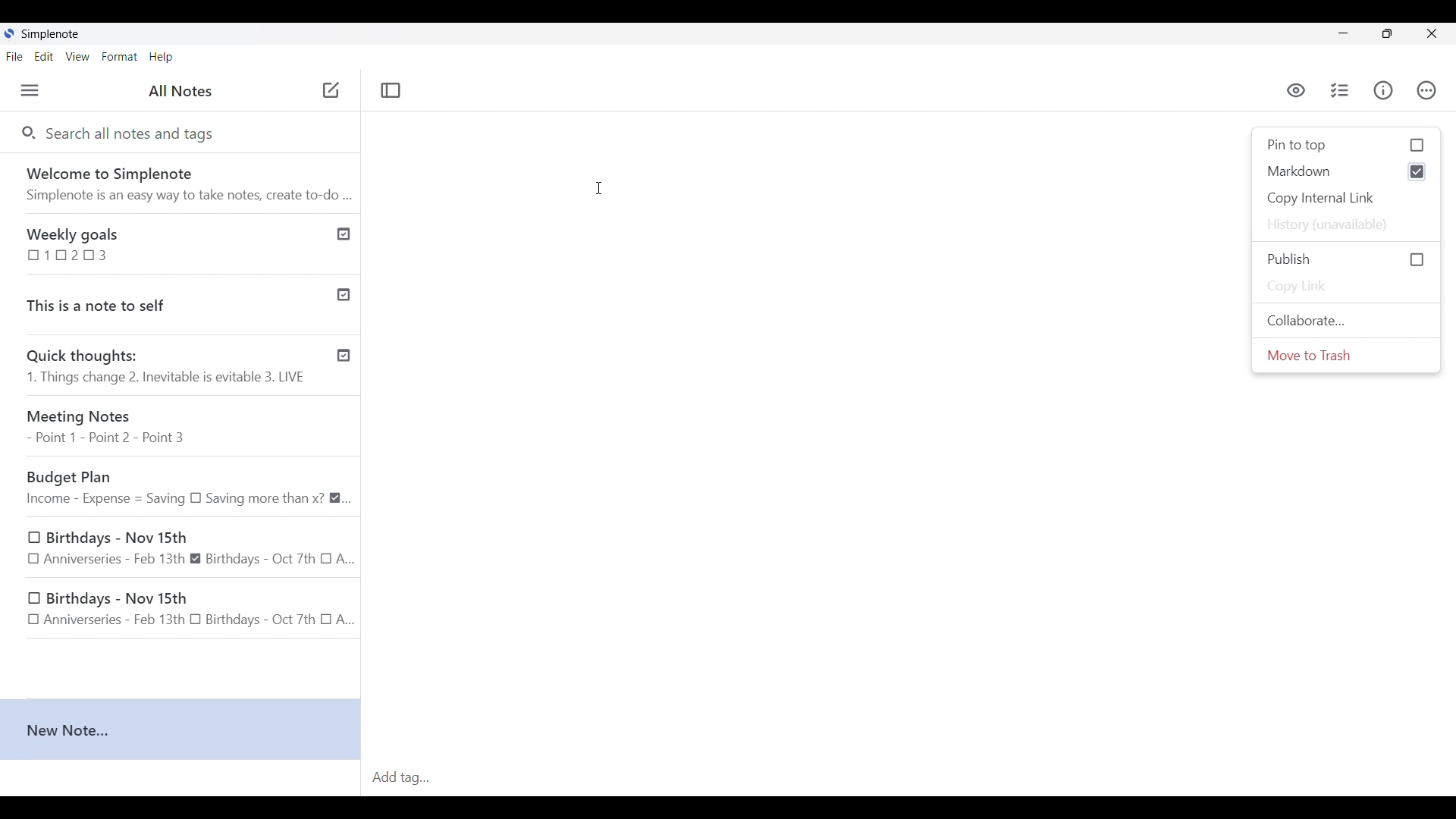 Image resolution: width=1456 pixels, height=819 pixels. I want to click on  Birthdays - Nov 15th , so click(190, 548).